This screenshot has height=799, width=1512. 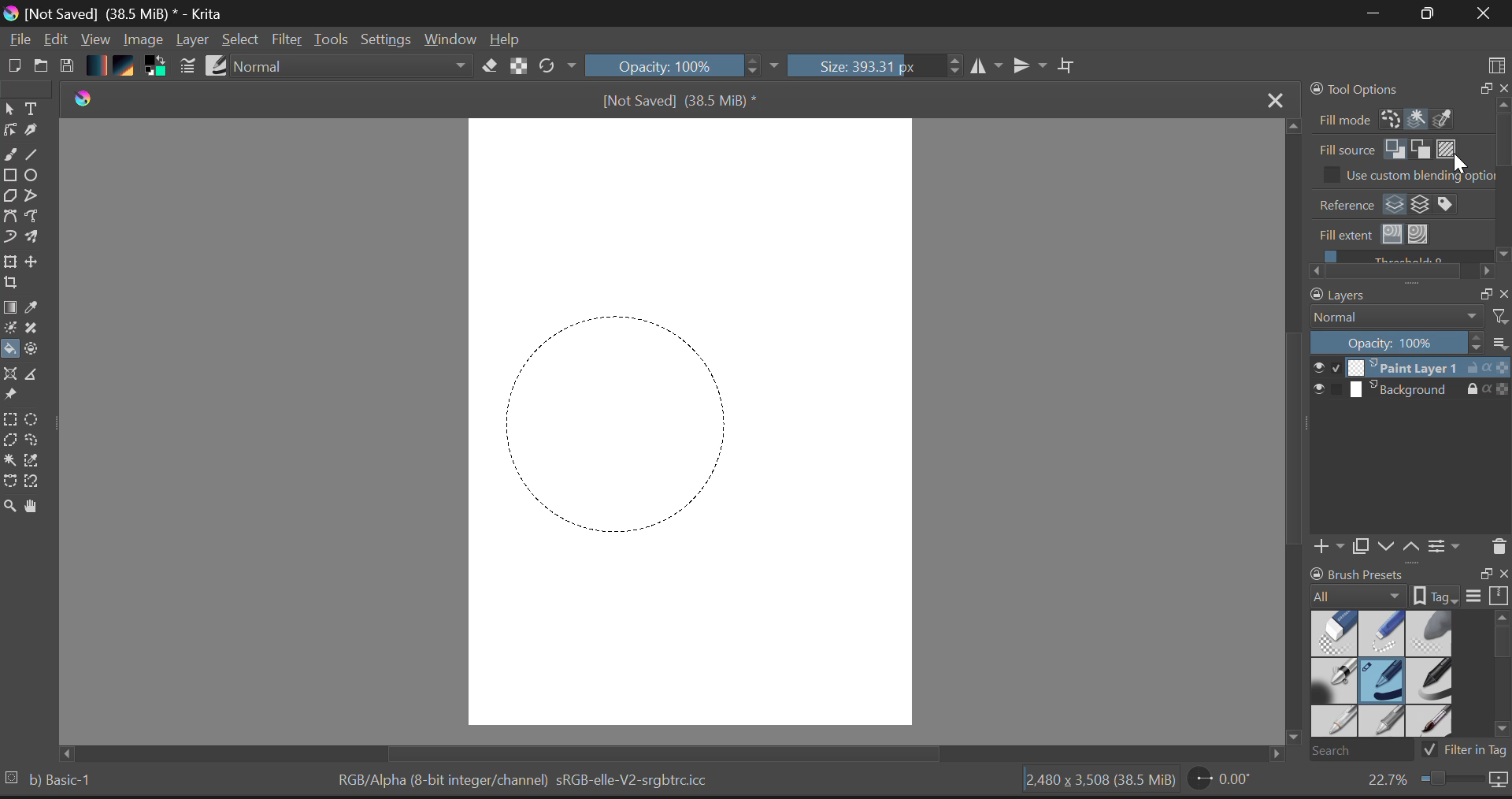 I want to click on Pattern, so click(x=127, y=67).